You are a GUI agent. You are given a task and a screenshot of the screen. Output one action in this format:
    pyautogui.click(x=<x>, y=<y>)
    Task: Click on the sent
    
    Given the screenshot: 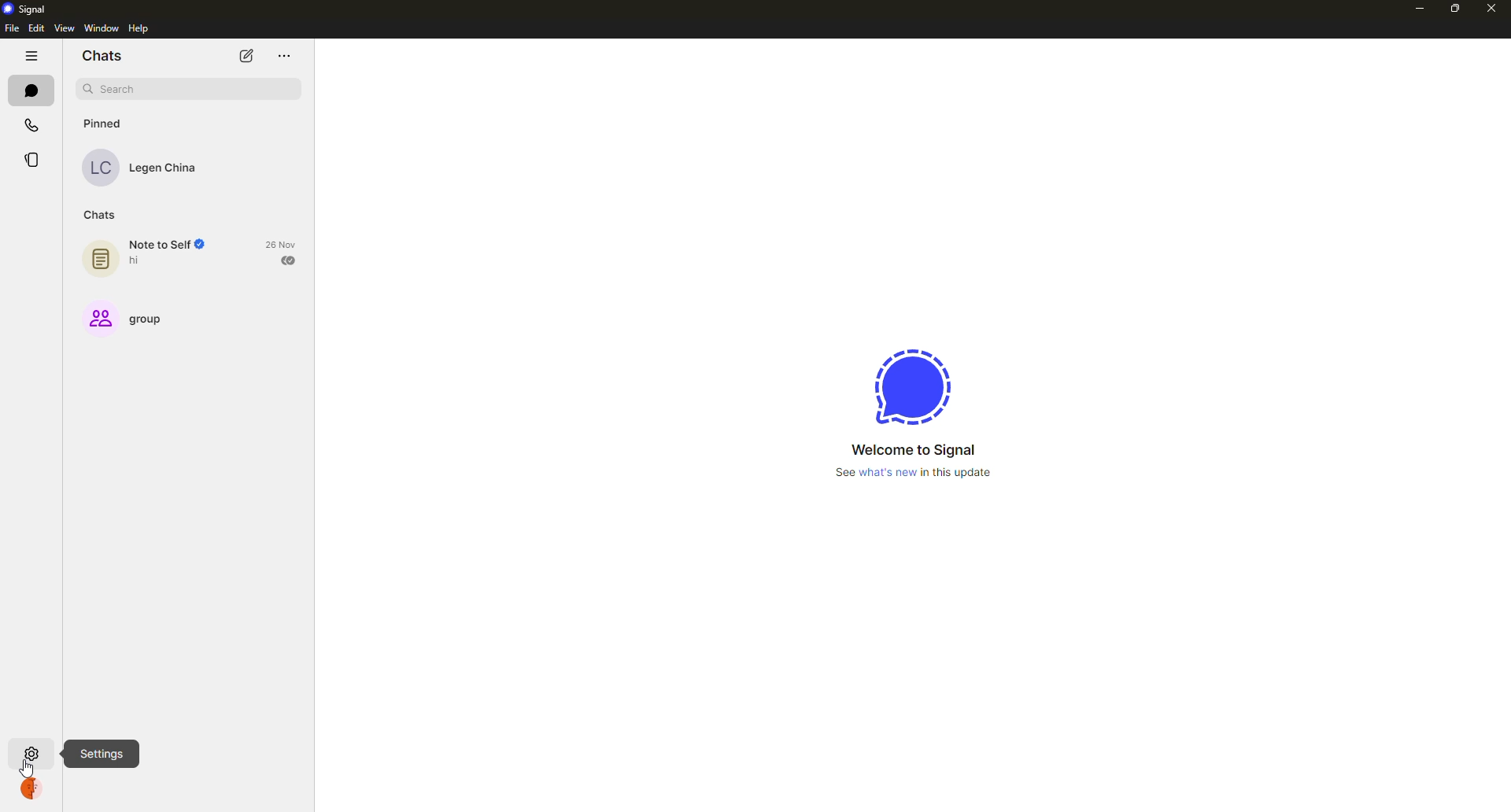 What is the action you would take?
    pyautogui.click(x=290, y=260)
    